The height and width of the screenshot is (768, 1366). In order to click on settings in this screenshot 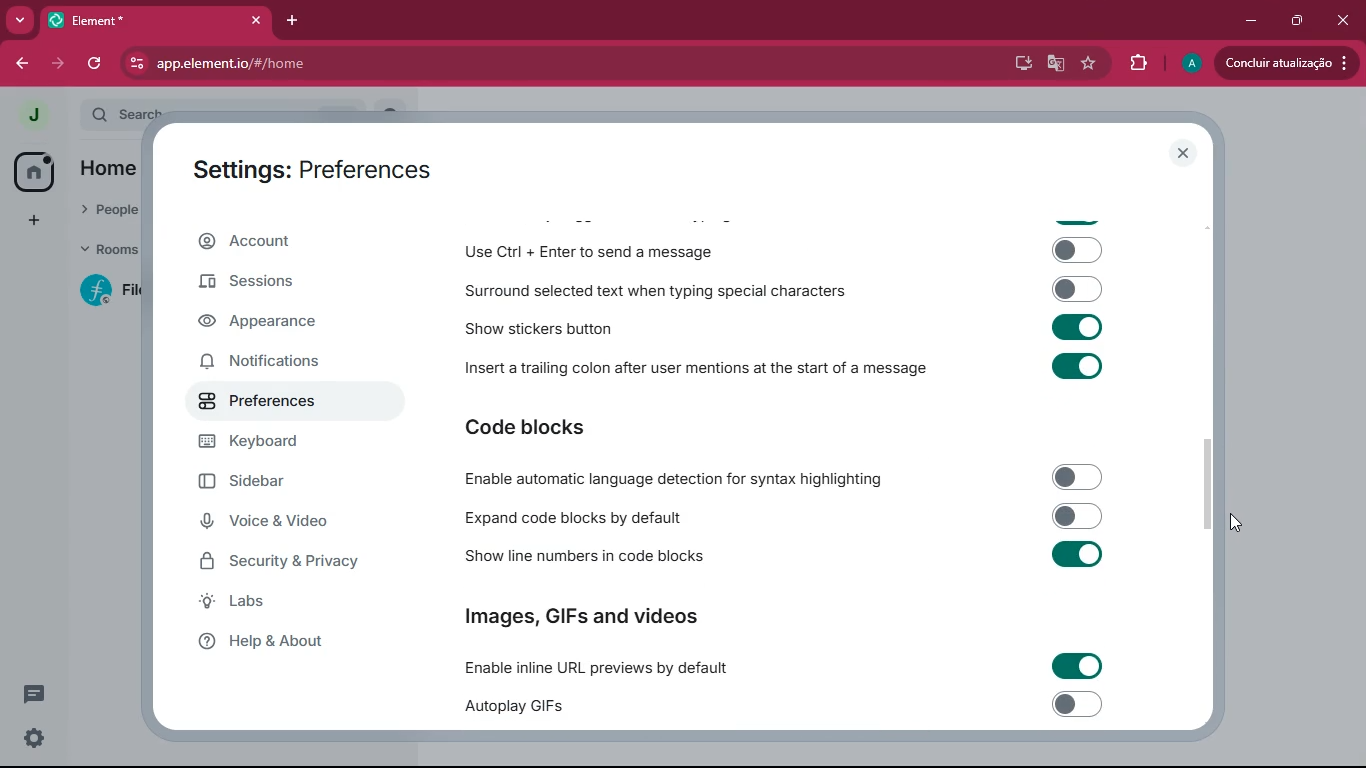, I will do `click(34, 738)`.